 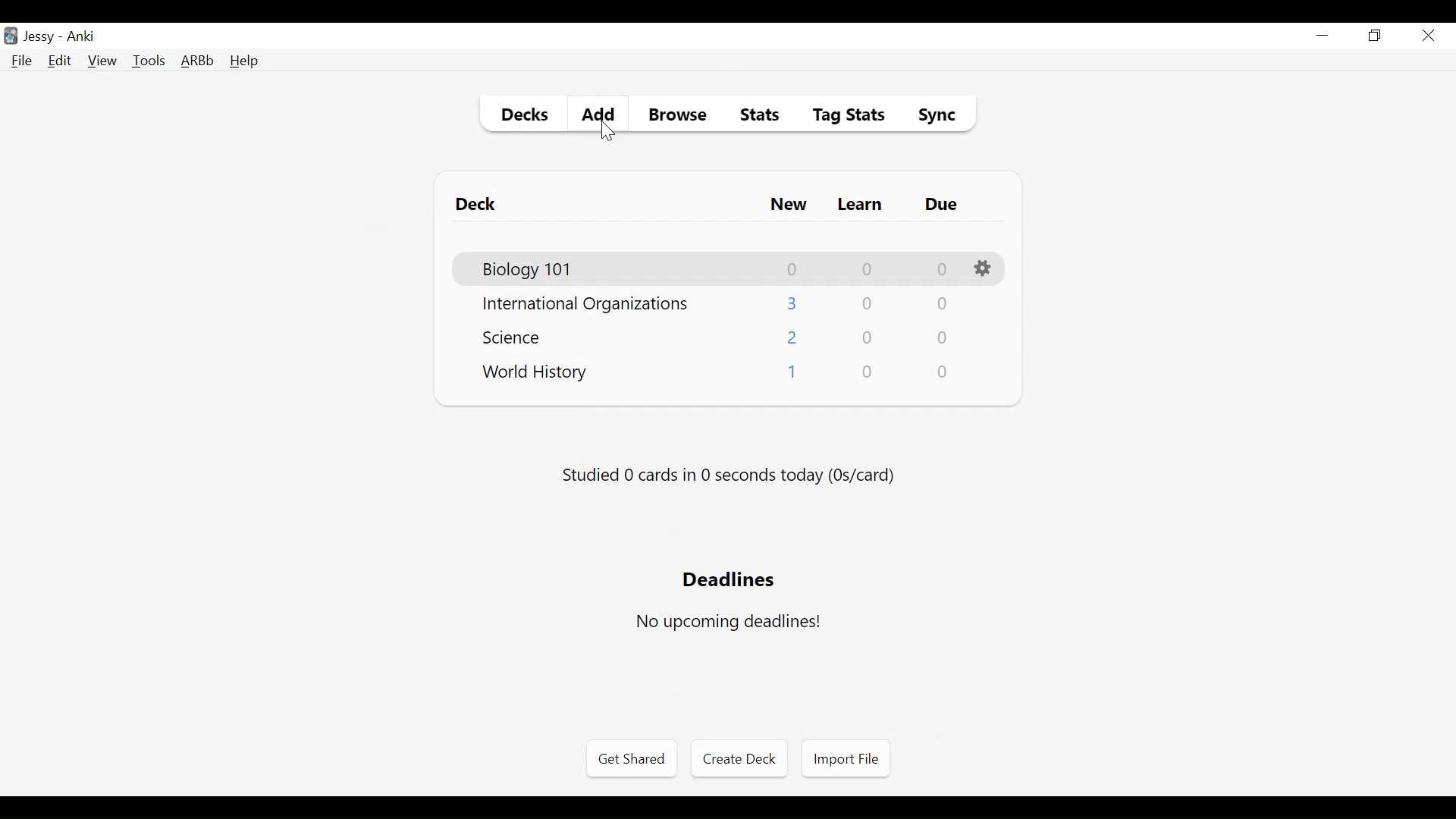 I want to click on Deck Name, so click(x=585, y=305).